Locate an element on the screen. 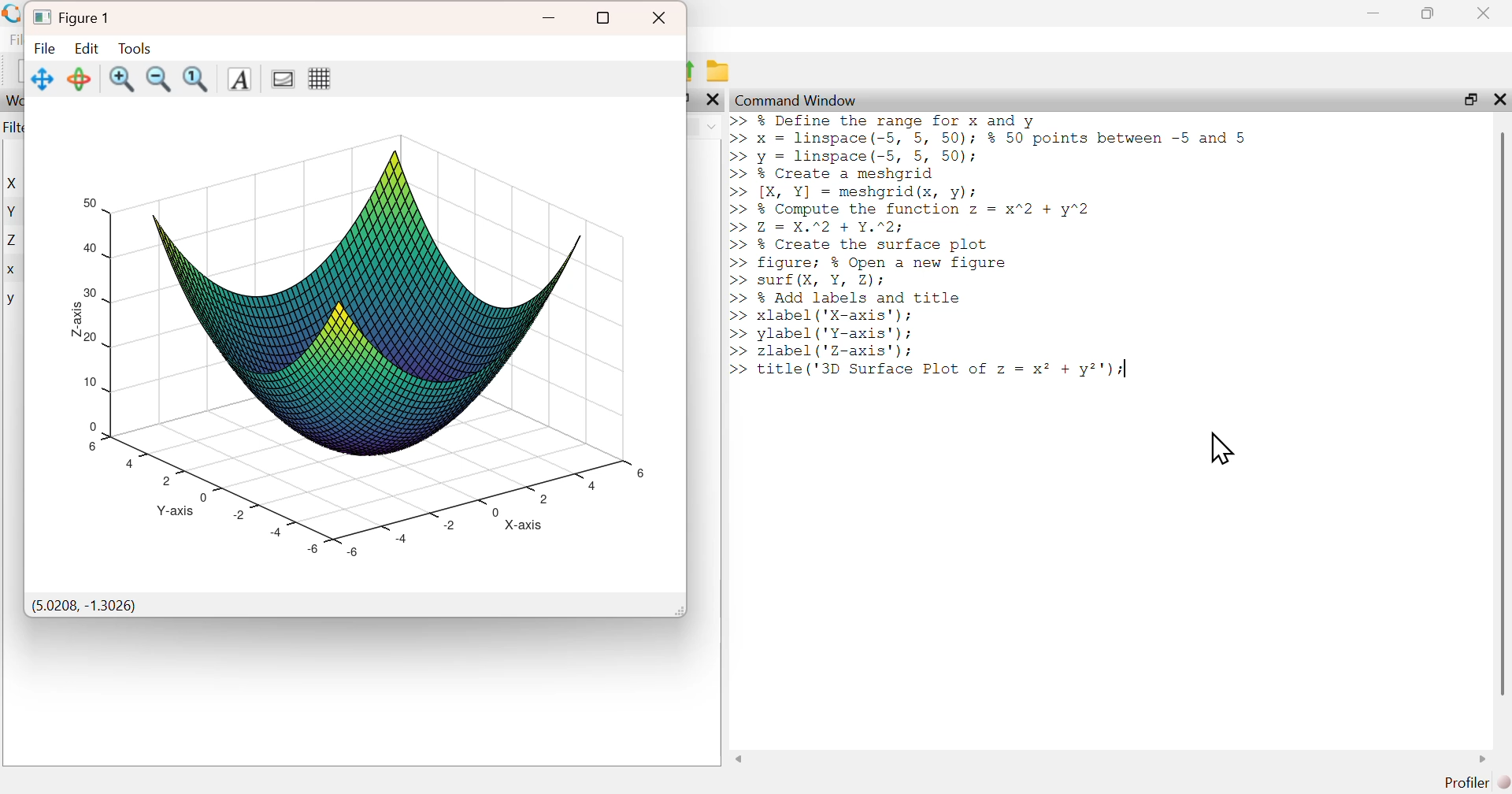  Z is located at coordinates (14, 241).